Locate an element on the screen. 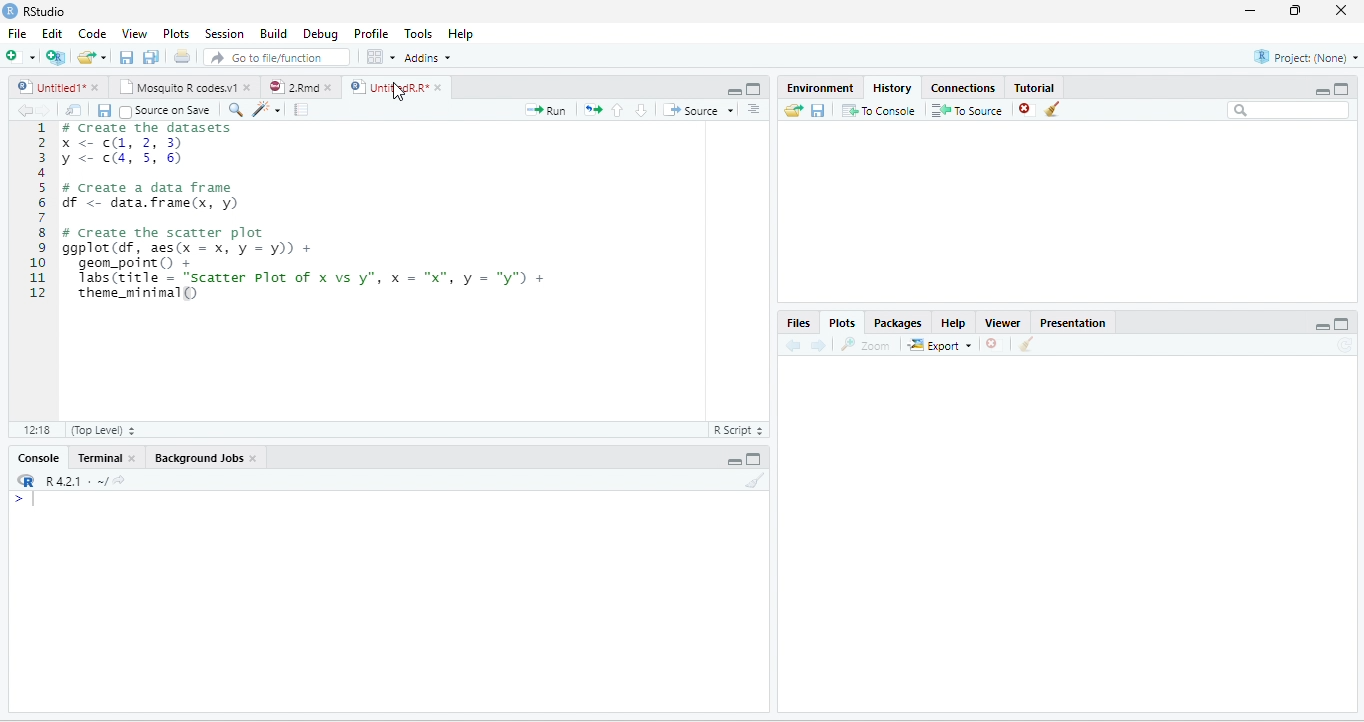  Go back to previous source location is located at coordinates (24, 111).